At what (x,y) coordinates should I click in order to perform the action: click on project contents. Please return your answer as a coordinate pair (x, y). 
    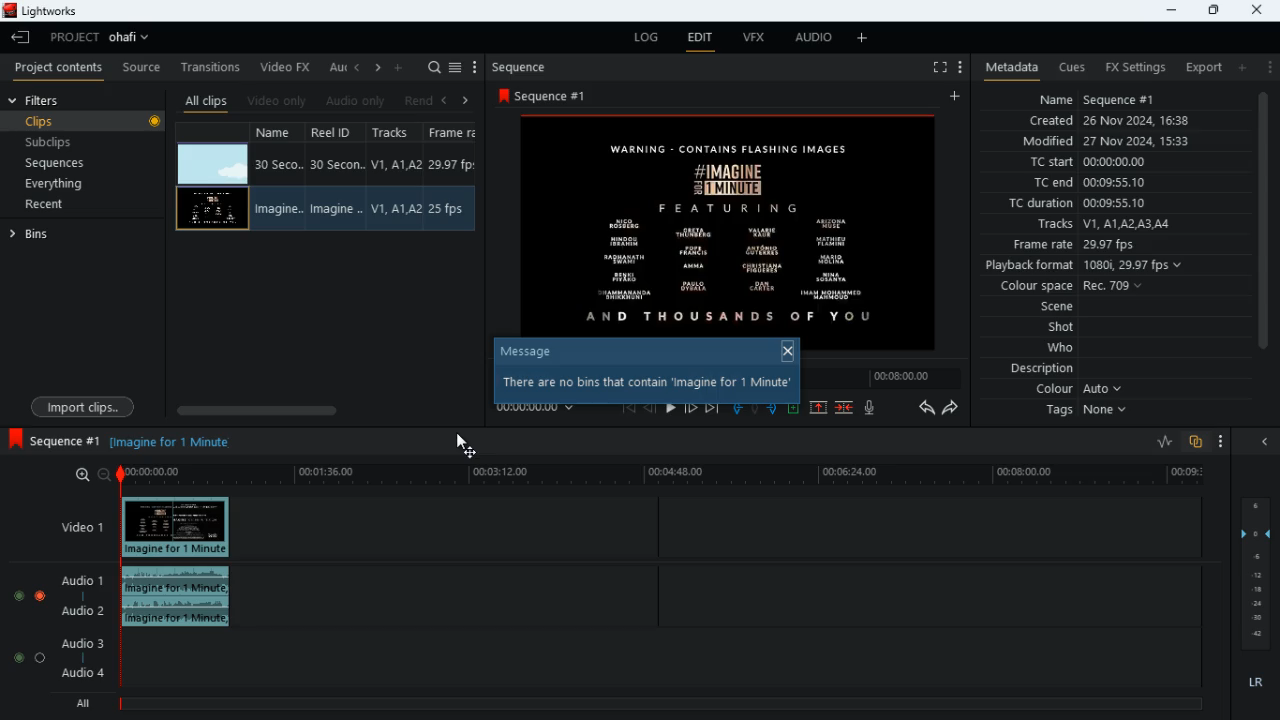
    Looking at the image, I should click on (63, 68).